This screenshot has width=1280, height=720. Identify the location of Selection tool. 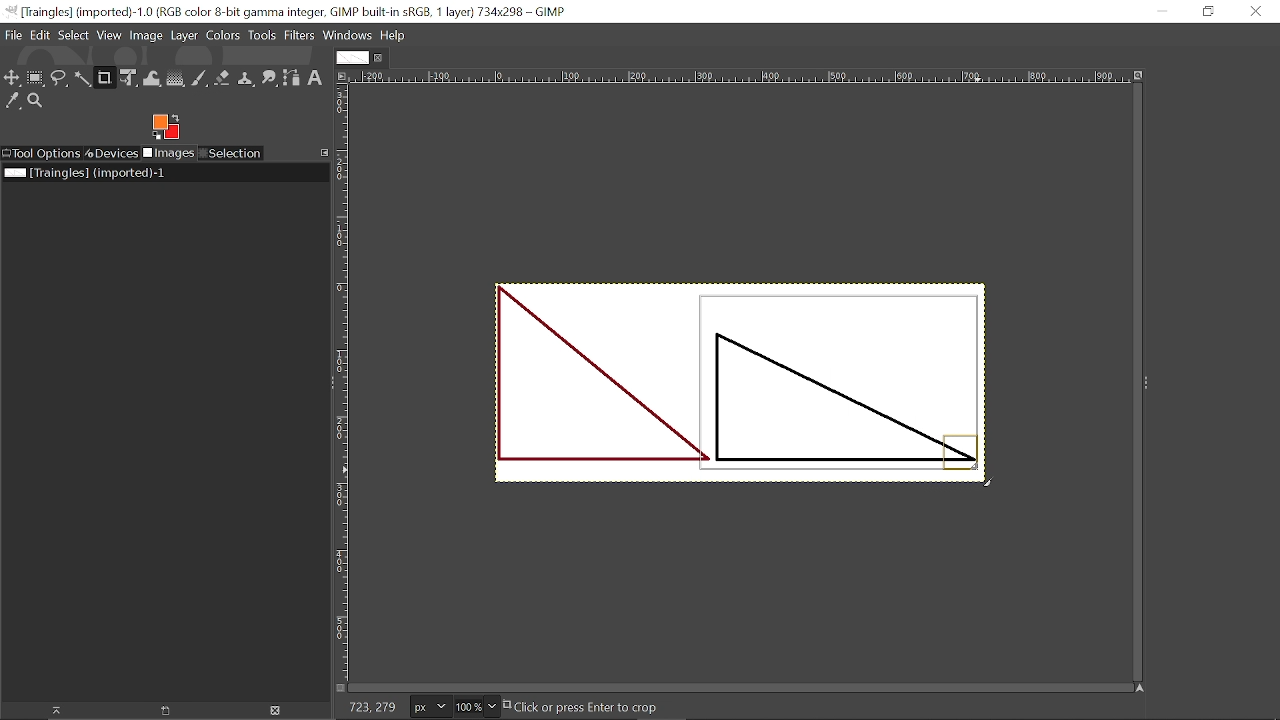
(231, 153).